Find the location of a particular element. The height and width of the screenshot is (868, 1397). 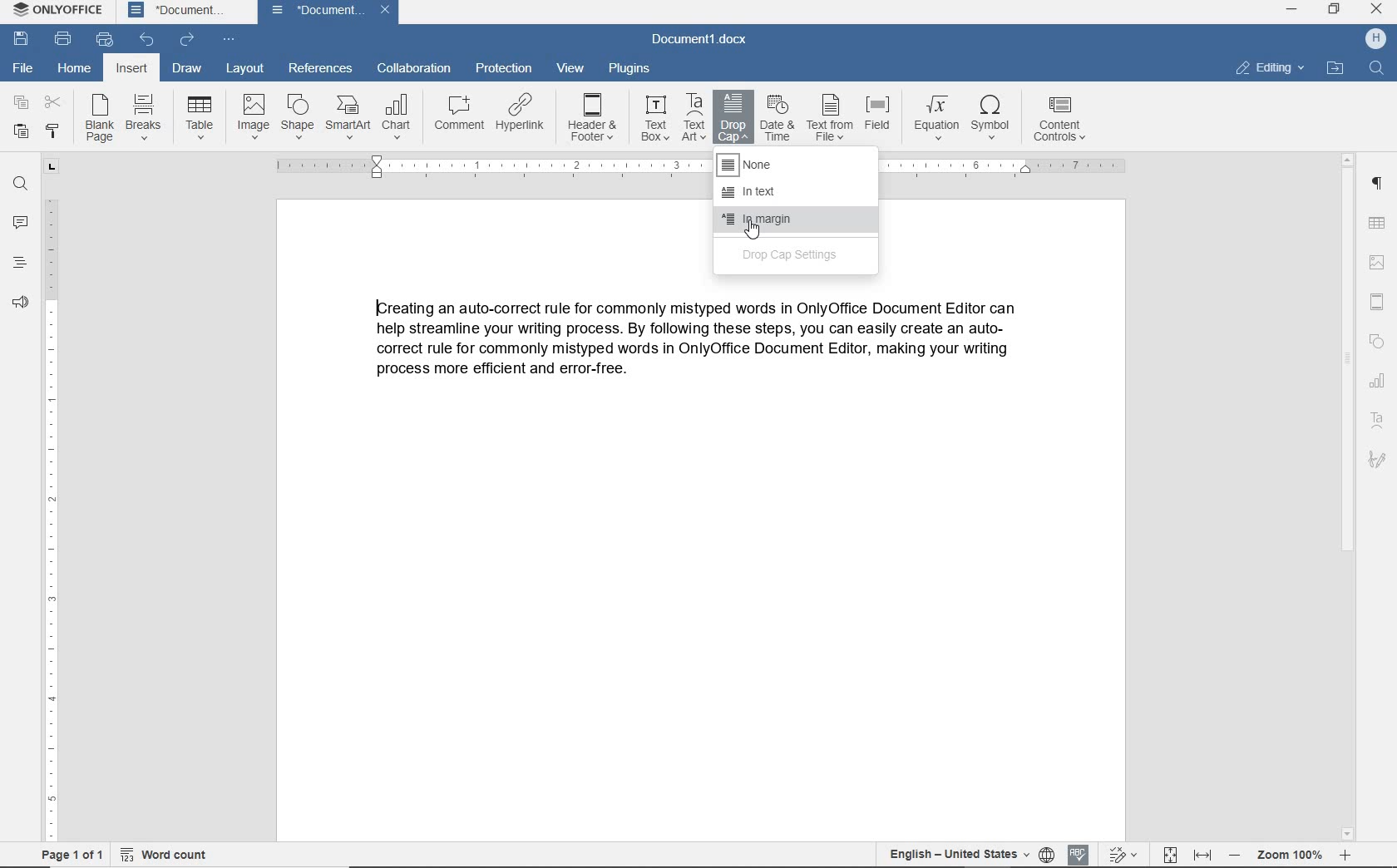

home is located at coordinates (76, 67).